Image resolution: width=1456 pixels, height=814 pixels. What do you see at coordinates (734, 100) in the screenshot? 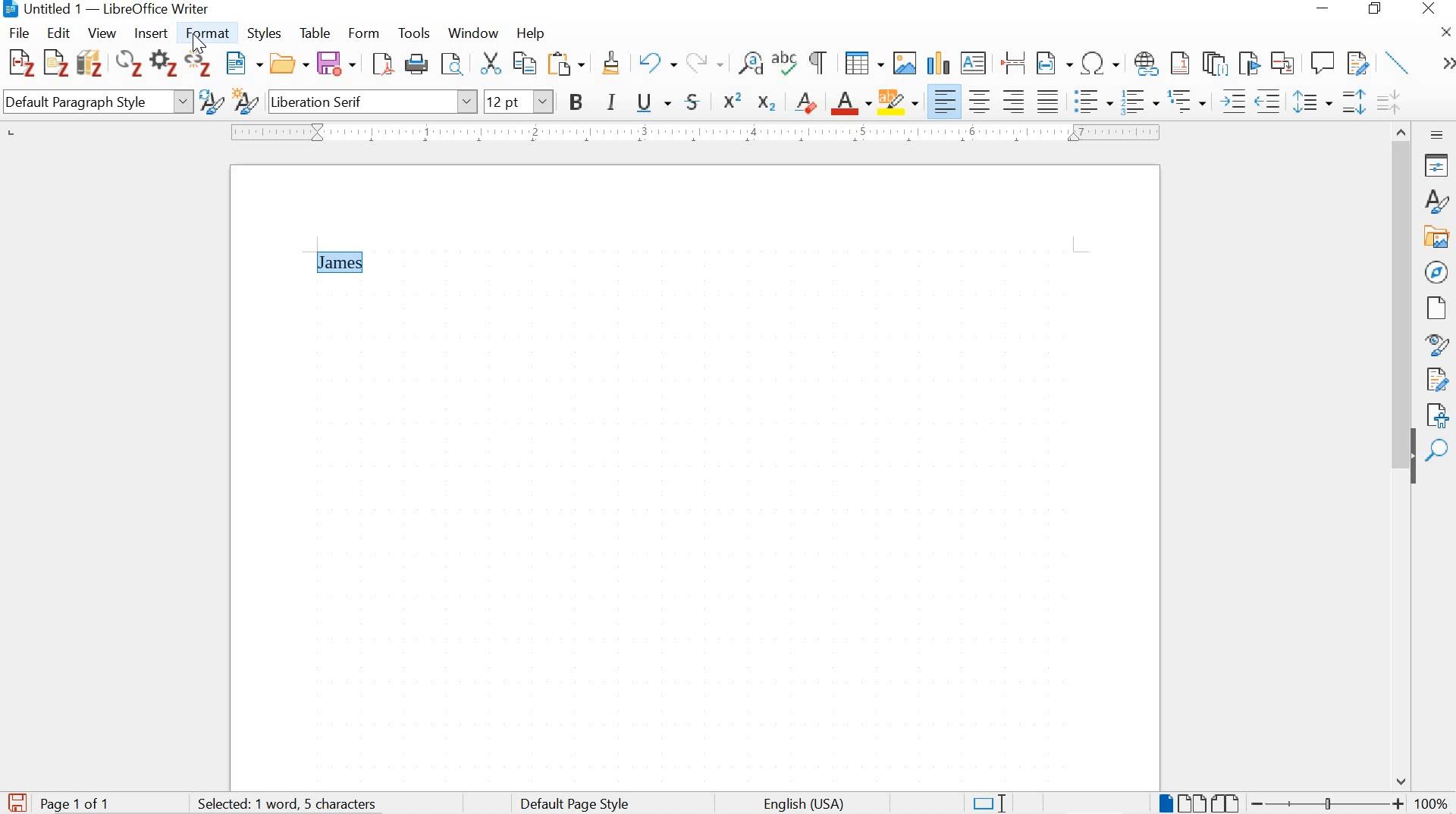
I see `superscript` at bounding box center [734, 100].